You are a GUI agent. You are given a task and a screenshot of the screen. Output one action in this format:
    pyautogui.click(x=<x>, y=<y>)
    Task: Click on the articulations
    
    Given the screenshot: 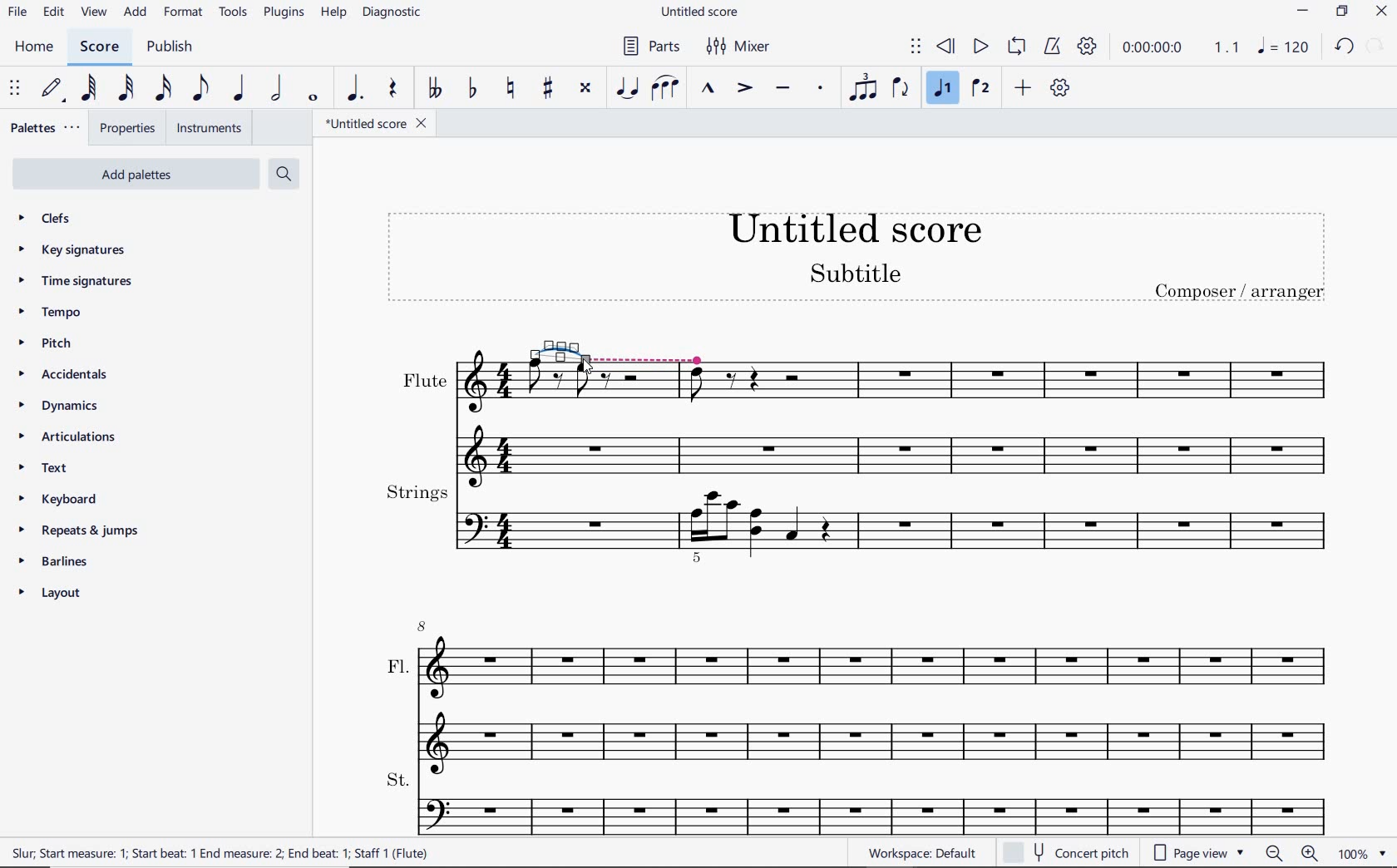 What is the action you would take?
    pyautogui.click(x=68, y=437)
    